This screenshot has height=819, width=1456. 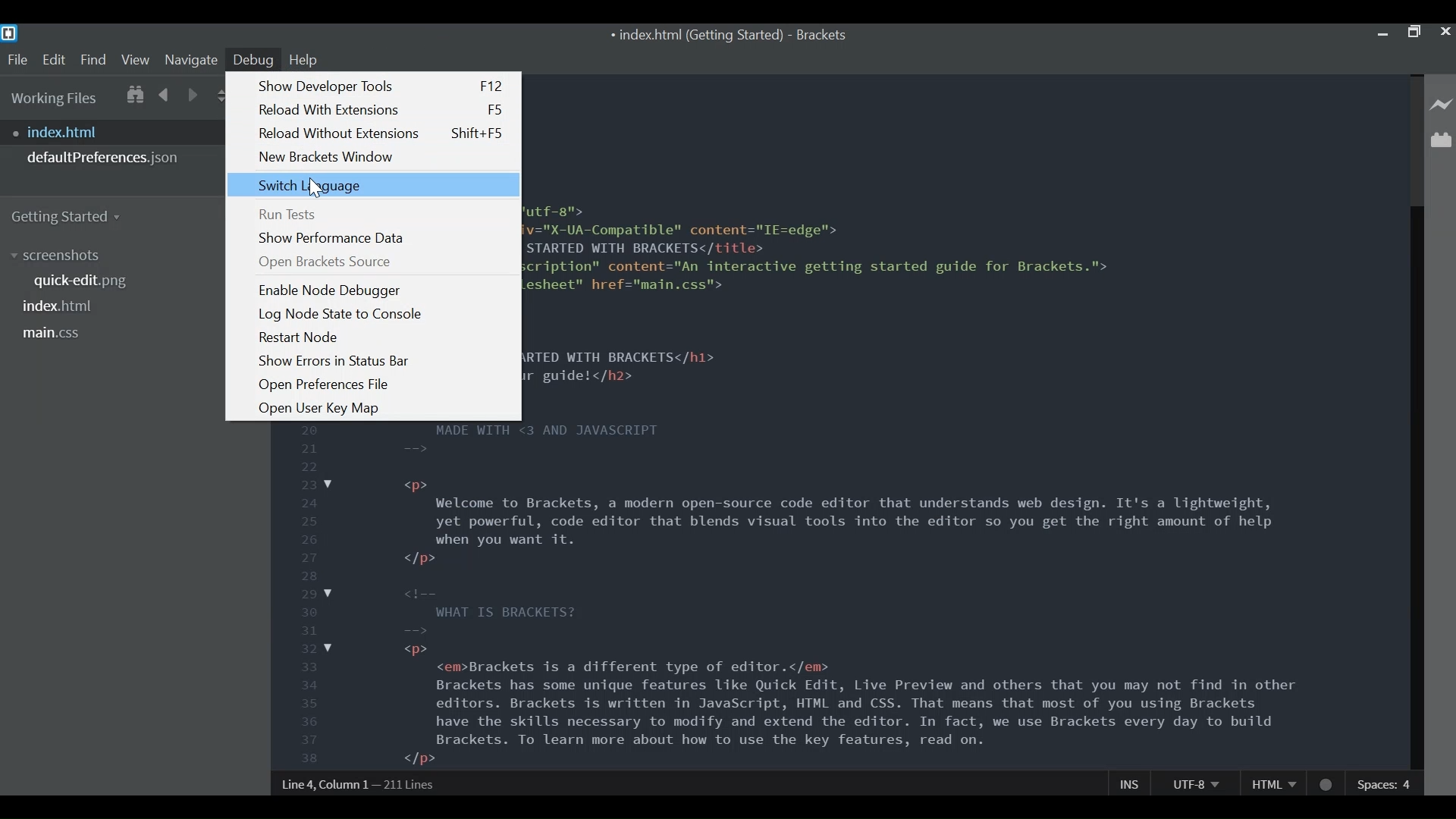 I want to click on Enable Node Debugger, so click(x=330, y=291).